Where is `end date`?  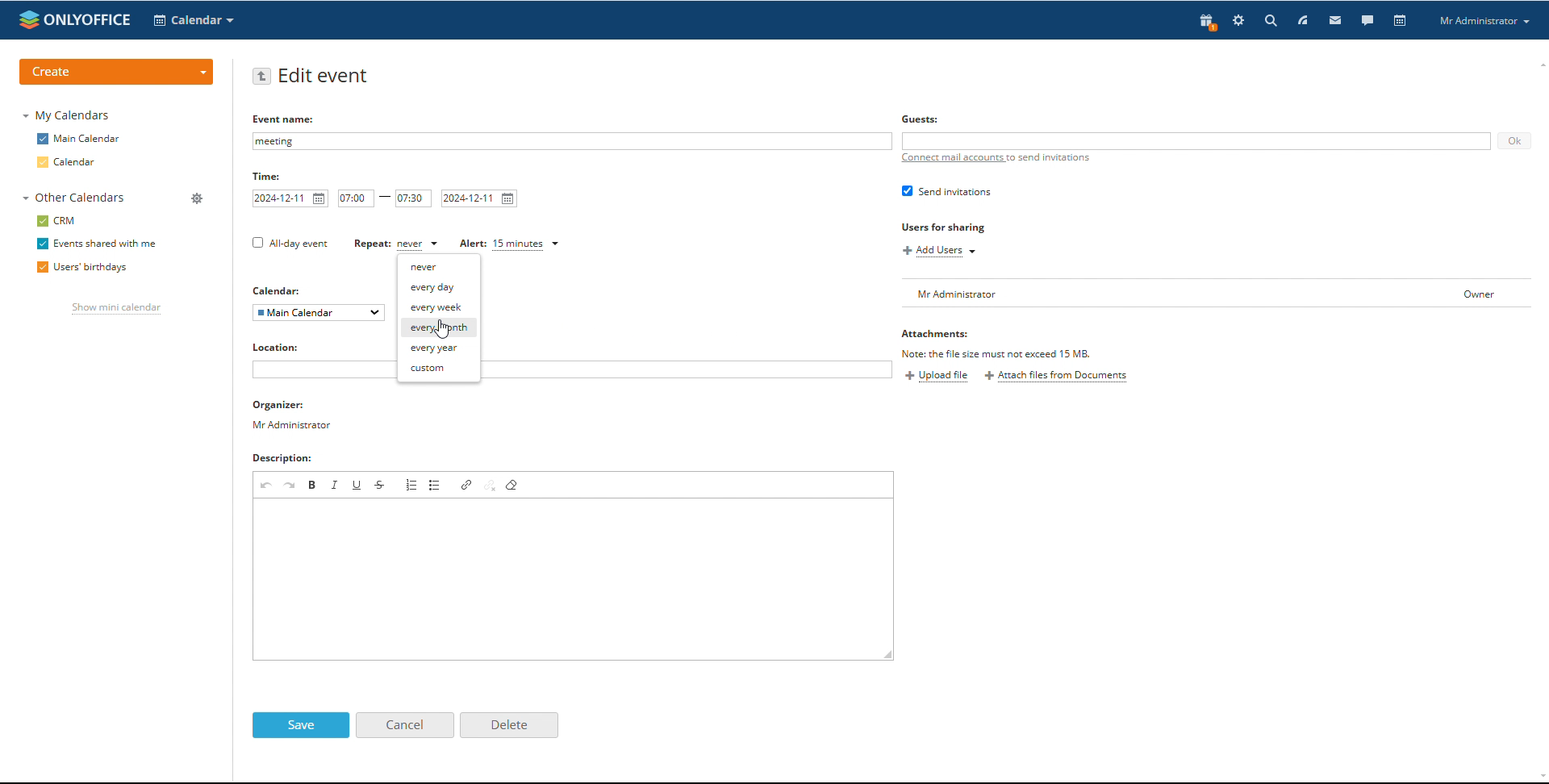 end date is located at coordinates (480, 198).